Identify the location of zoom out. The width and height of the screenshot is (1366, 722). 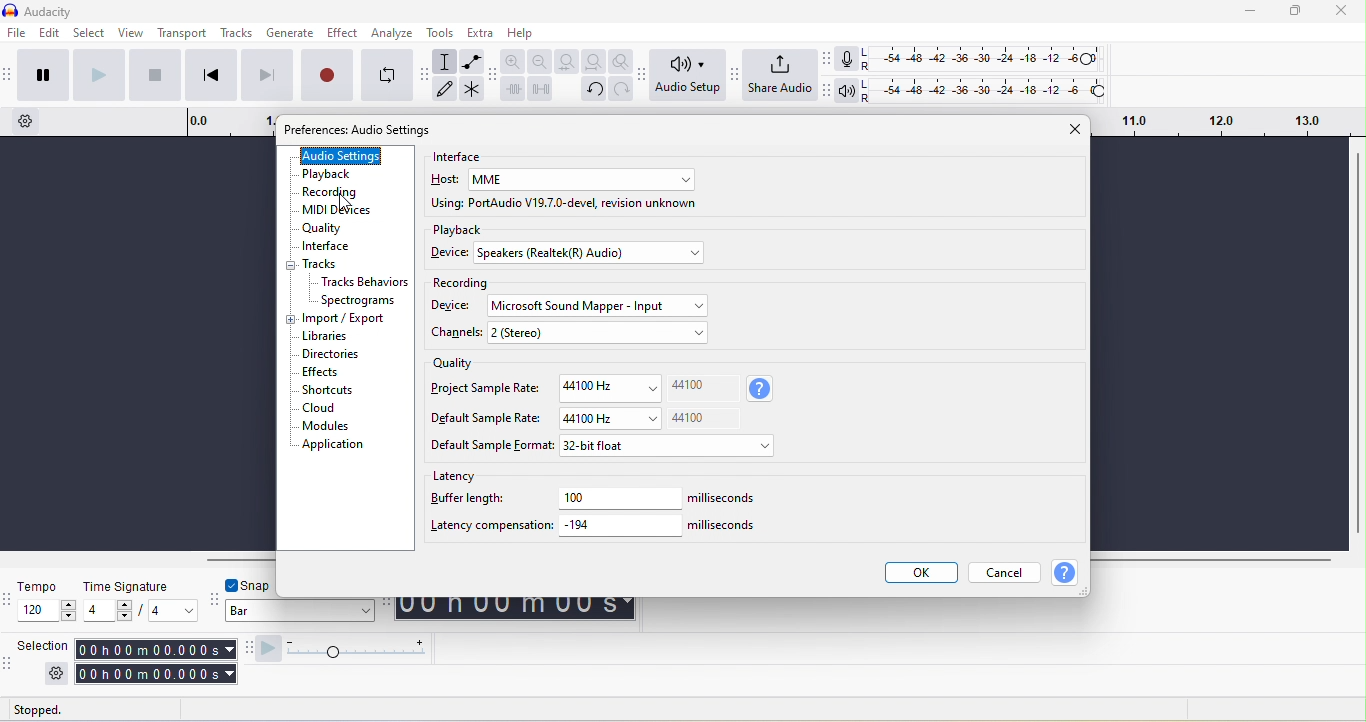
(538, 62).